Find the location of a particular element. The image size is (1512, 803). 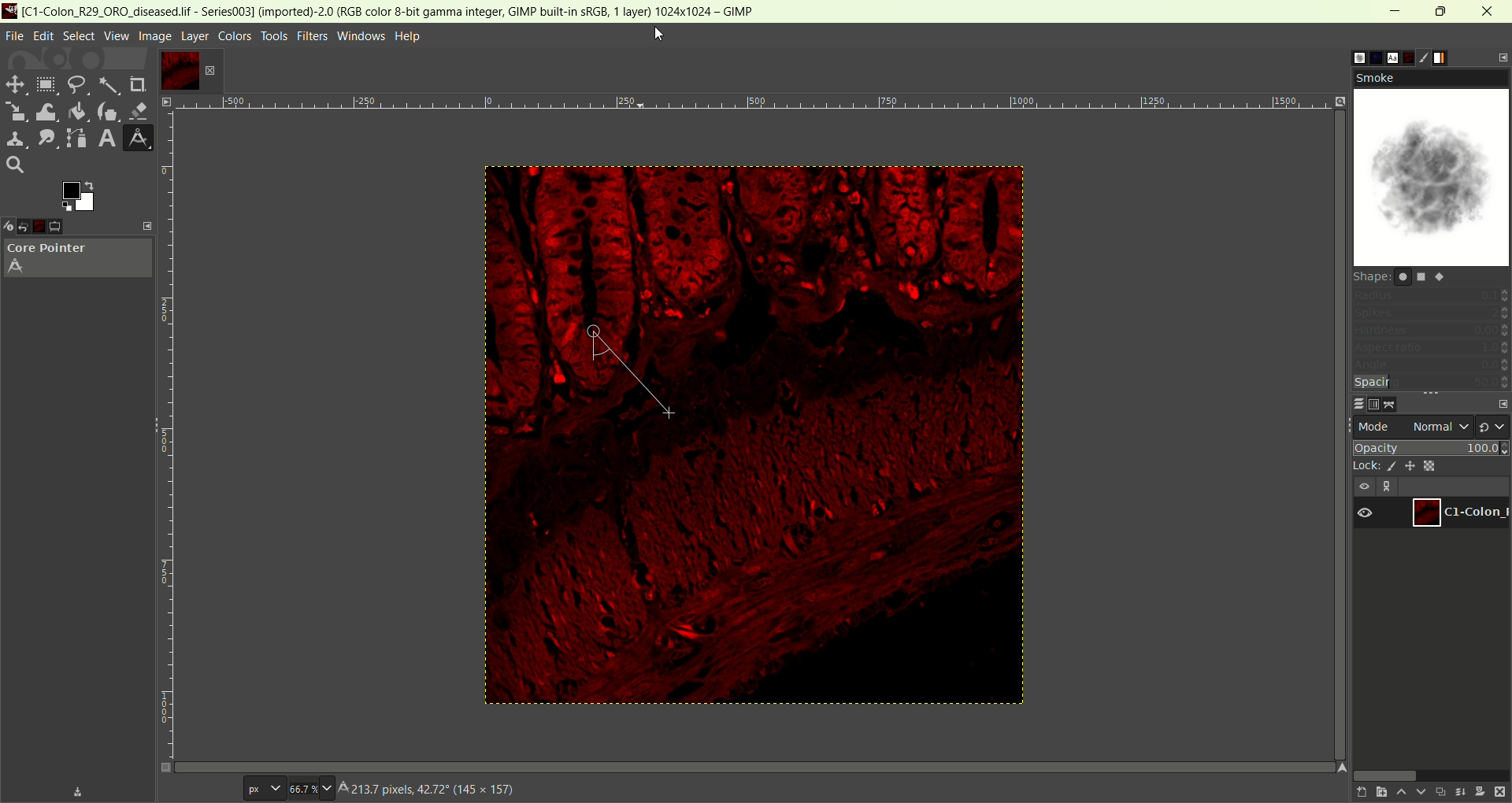

pixe; is located at coordinates (261, 790).